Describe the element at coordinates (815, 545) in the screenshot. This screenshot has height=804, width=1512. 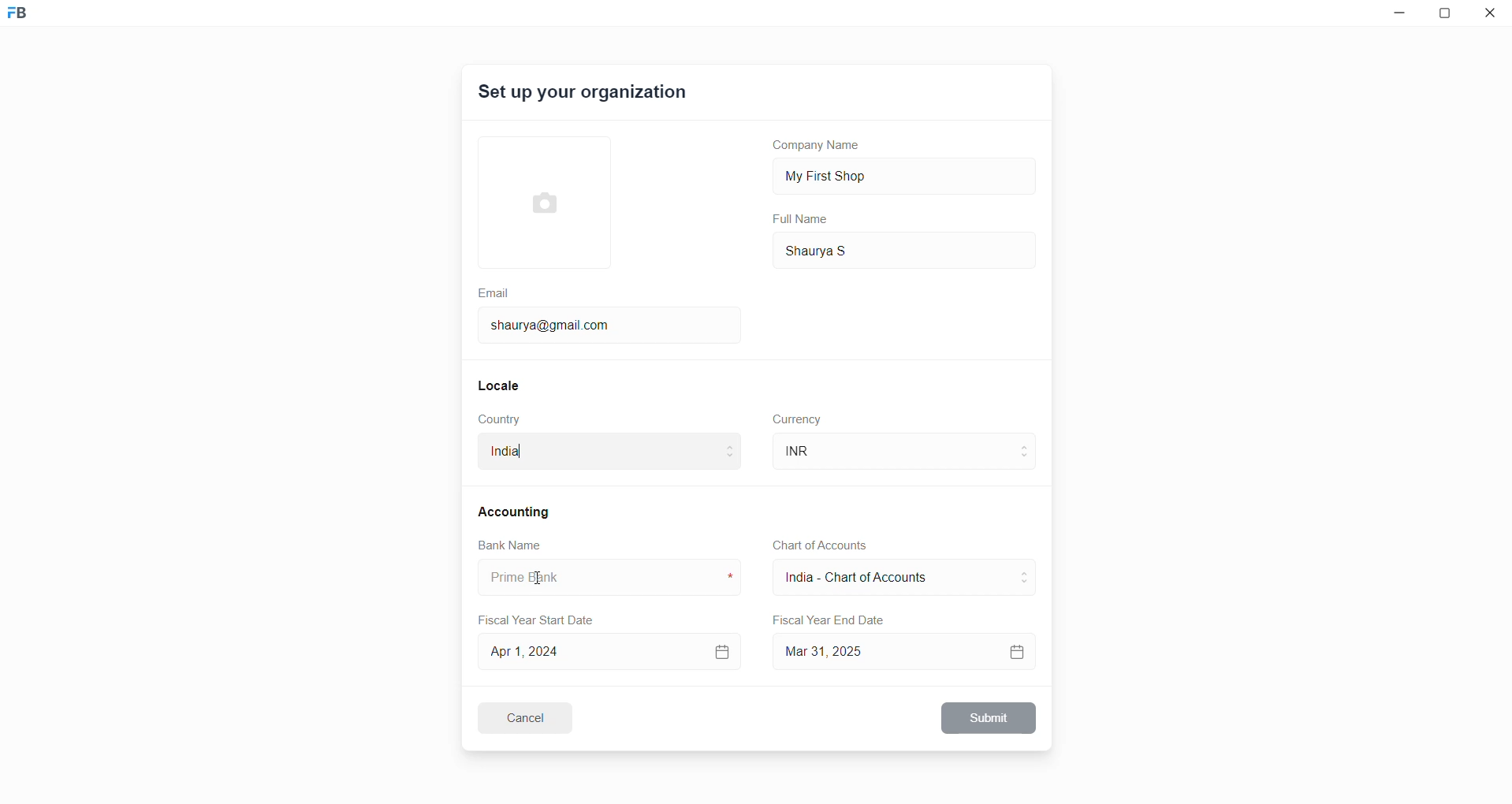
I see `Chart of Accounts` at that location.